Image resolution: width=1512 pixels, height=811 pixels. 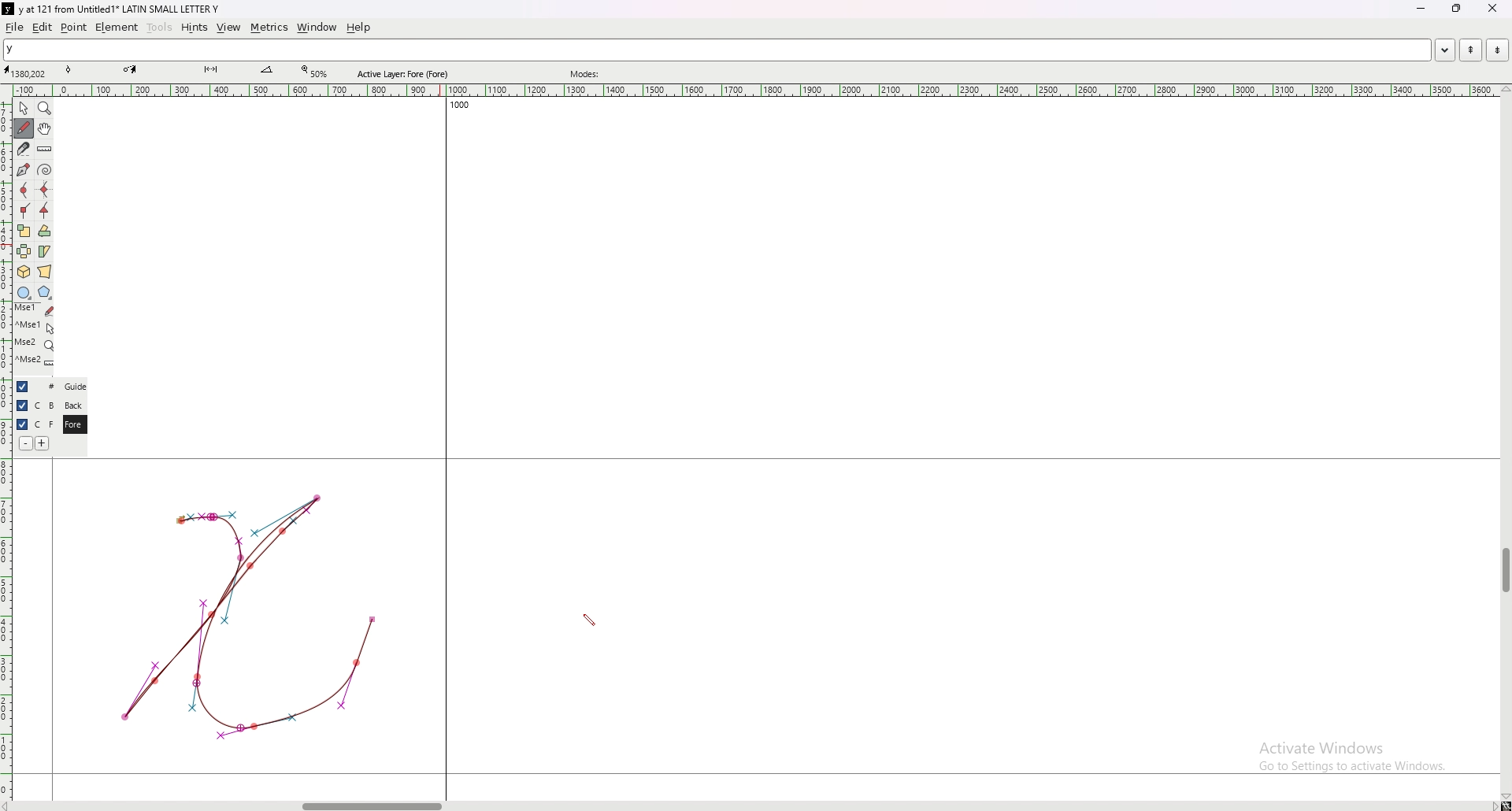 I want to click on tools, so click(x=160, y=28).